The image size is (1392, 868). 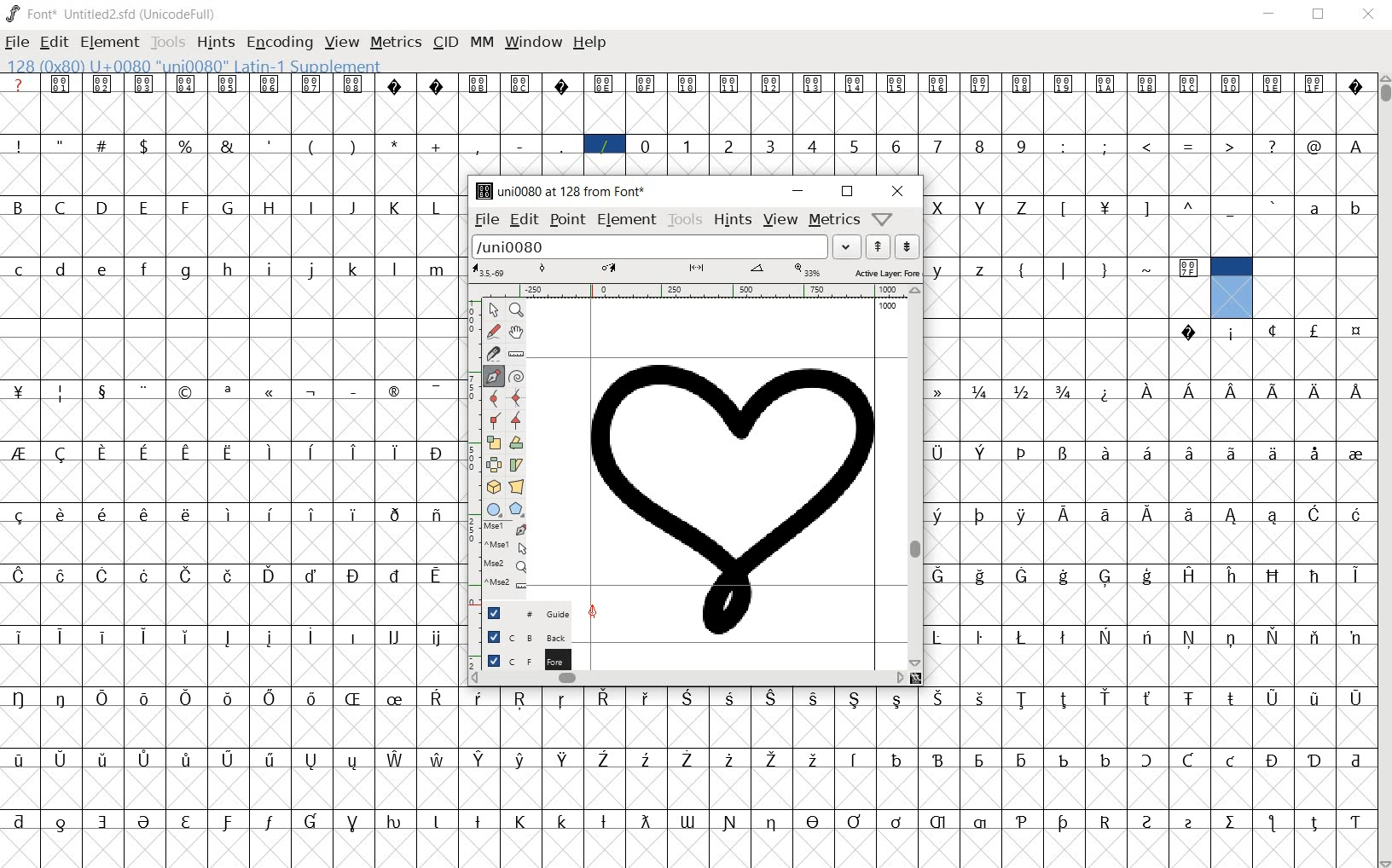 I want to click on glyph, so click(x=938, y=85).